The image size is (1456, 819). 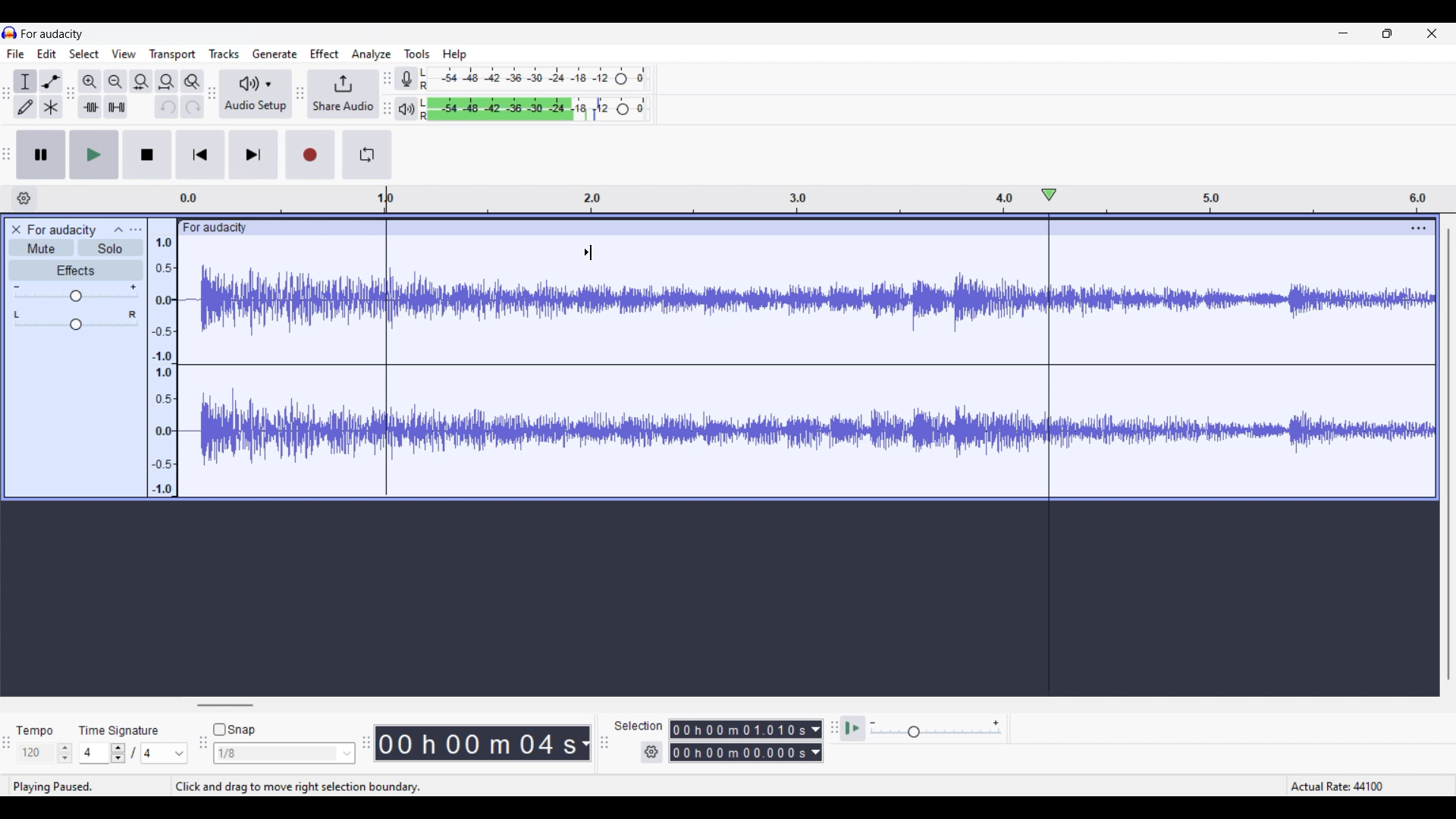 I want to click on Audio setup, so click(x=256, y=93).